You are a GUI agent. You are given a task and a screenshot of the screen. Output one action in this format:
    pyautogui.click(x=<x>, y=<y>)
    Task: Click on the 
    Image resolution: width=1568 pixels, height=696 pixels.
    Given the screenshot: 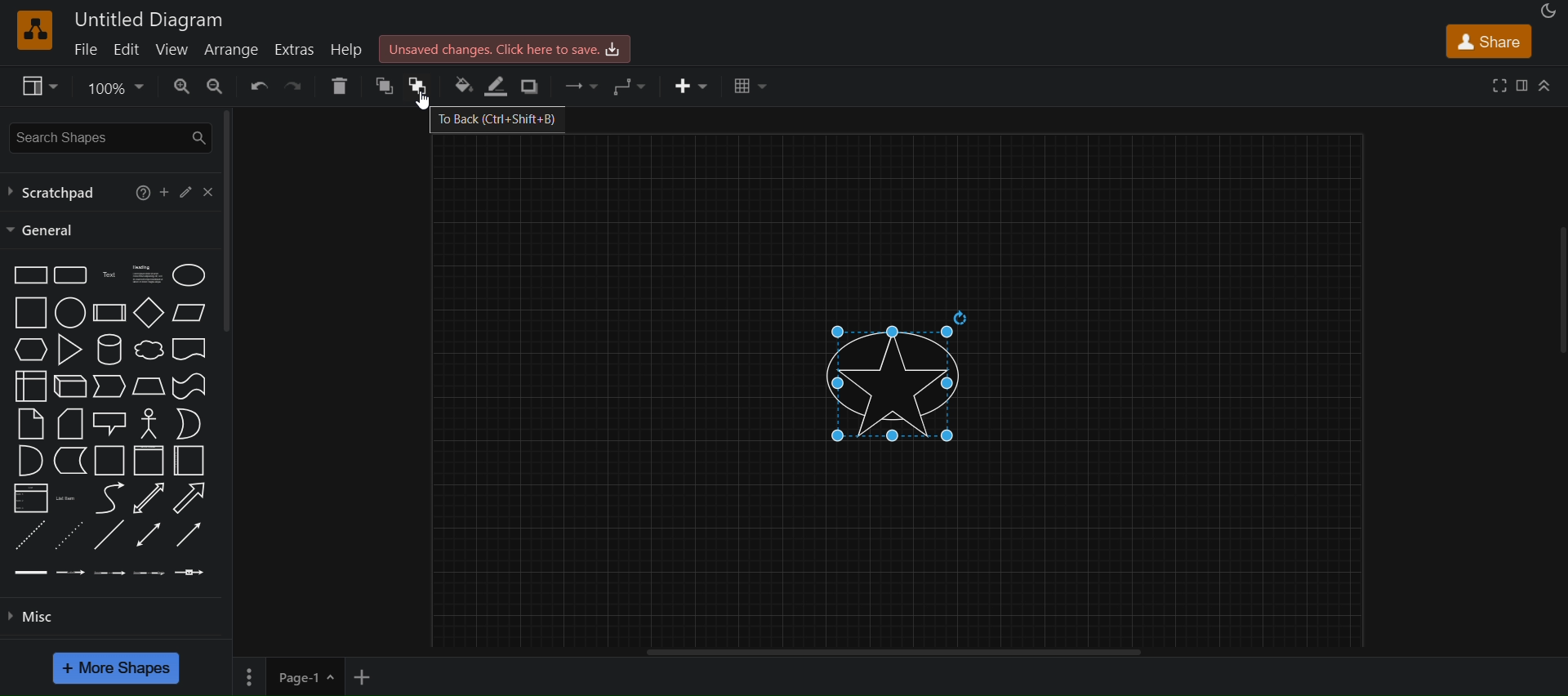 What is the action you would take?
    pyautogui.click(x=188, y=189)
    